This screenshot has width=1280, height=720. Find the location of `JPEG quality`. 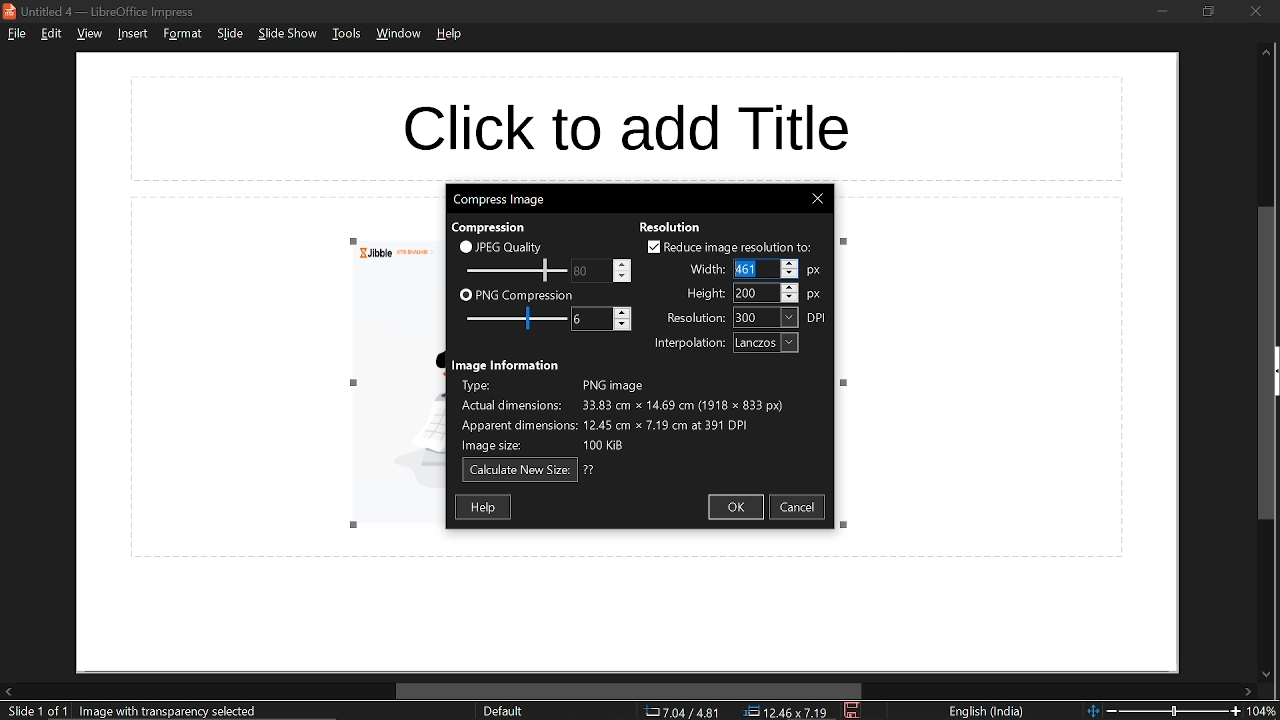

JPEG quality is located at coordinates (512, 247).